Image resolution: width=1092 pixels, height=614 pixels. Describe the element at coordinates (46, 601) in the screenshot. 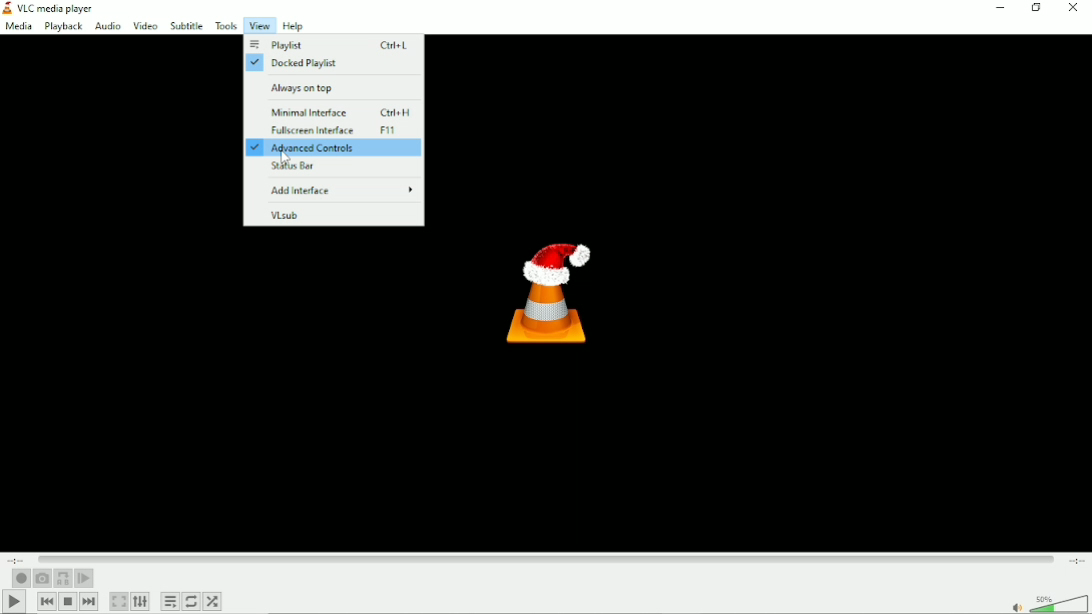

I see `previous` at that location.